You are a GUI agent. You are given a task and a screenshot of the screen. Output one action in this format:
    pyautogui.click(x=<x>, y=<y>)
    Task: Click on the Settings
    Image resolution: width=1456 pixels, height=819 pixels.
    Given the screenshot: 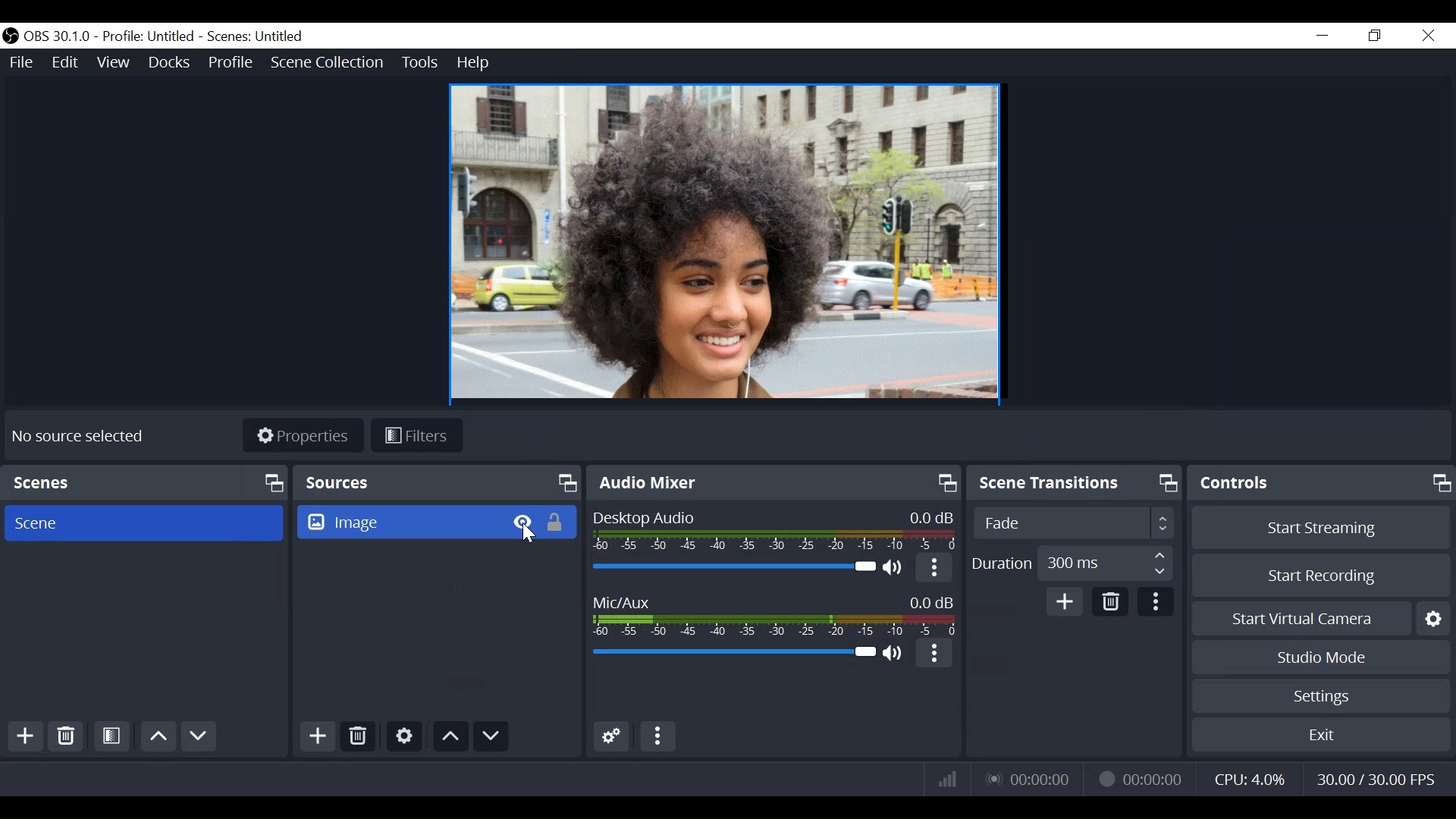 What is the action you would take?
    pyautogui.click(x=404, y=737)
    